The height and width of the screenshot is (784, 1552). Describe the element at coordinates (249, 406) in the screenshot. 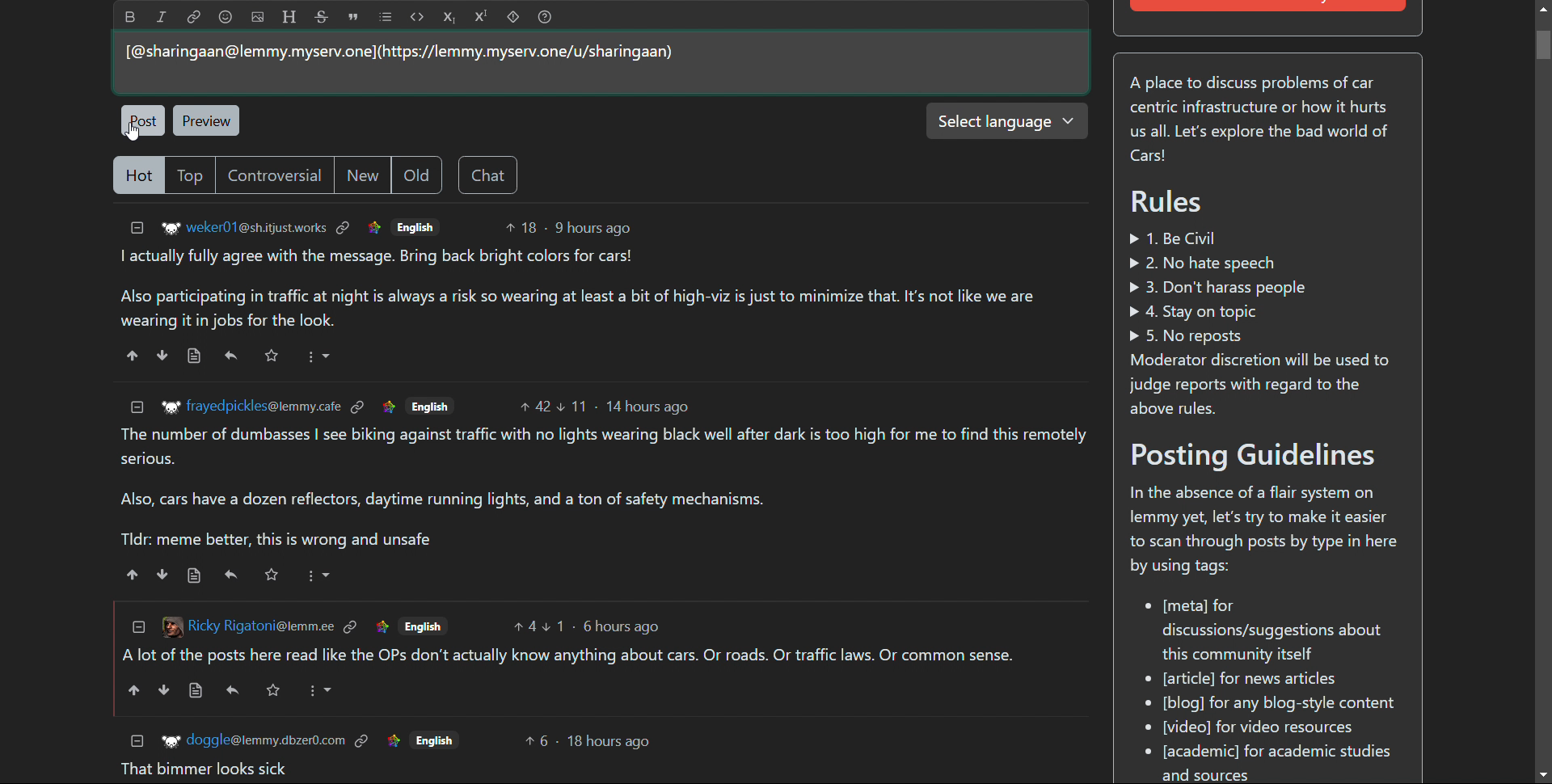

I see `Ww frayedpickles@lemmy.cafe` at that location.